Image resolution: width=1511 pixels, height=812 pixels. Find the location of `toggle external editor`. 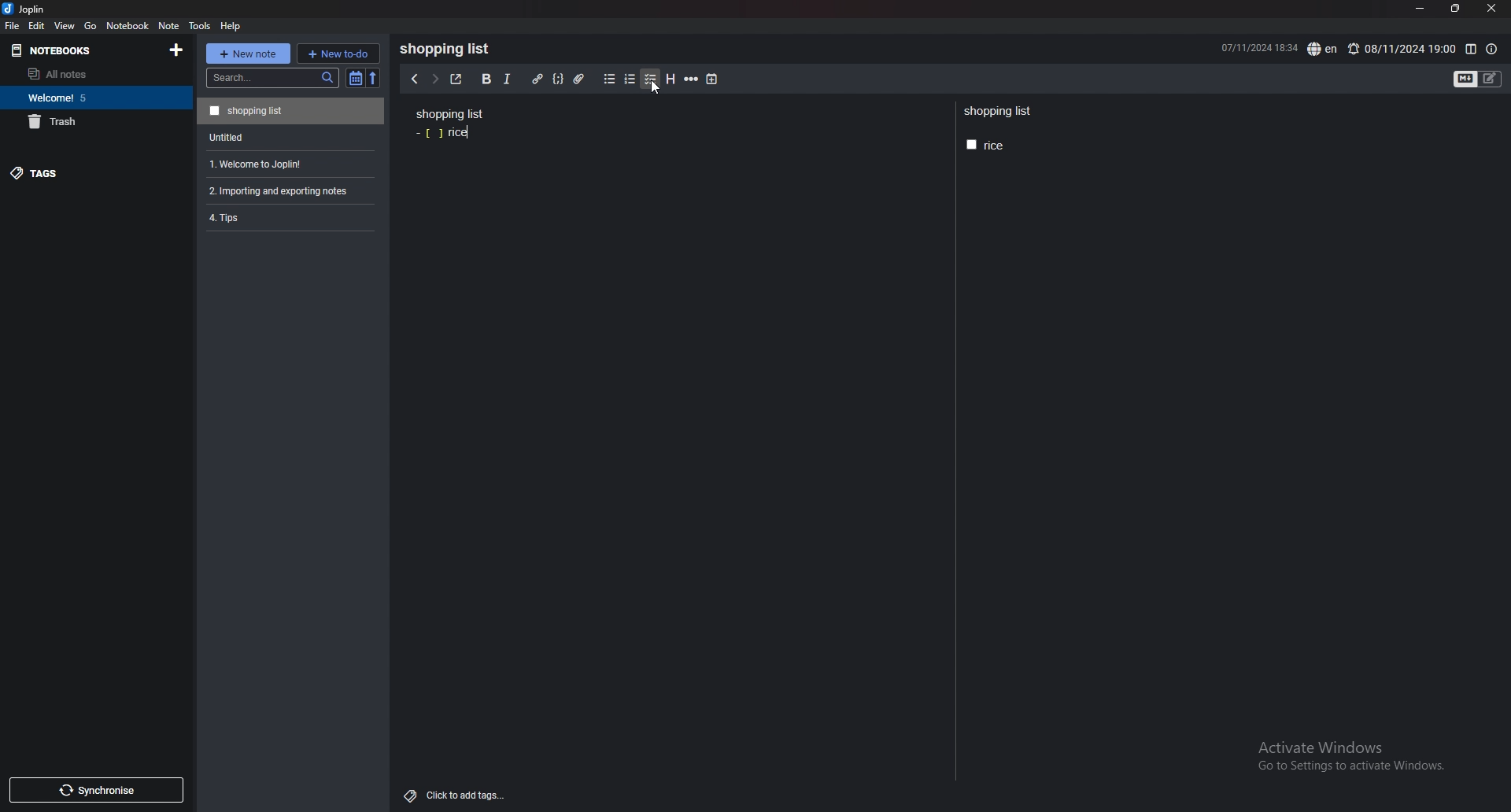

toggle external editor is located at coordinates (456, 79).